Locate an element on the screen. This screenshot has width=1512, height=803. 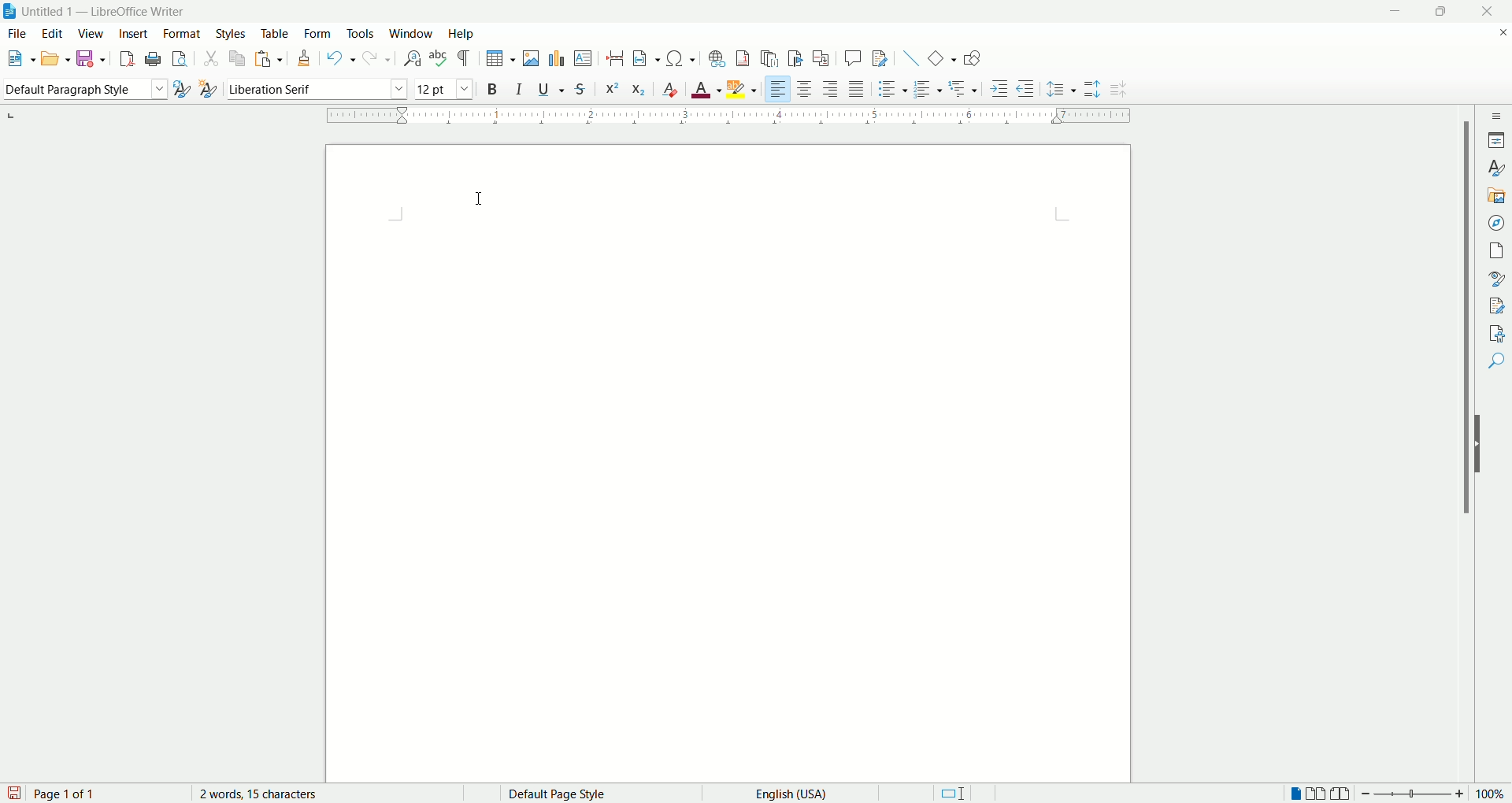
single page view is located at coordinates (1295, 794).